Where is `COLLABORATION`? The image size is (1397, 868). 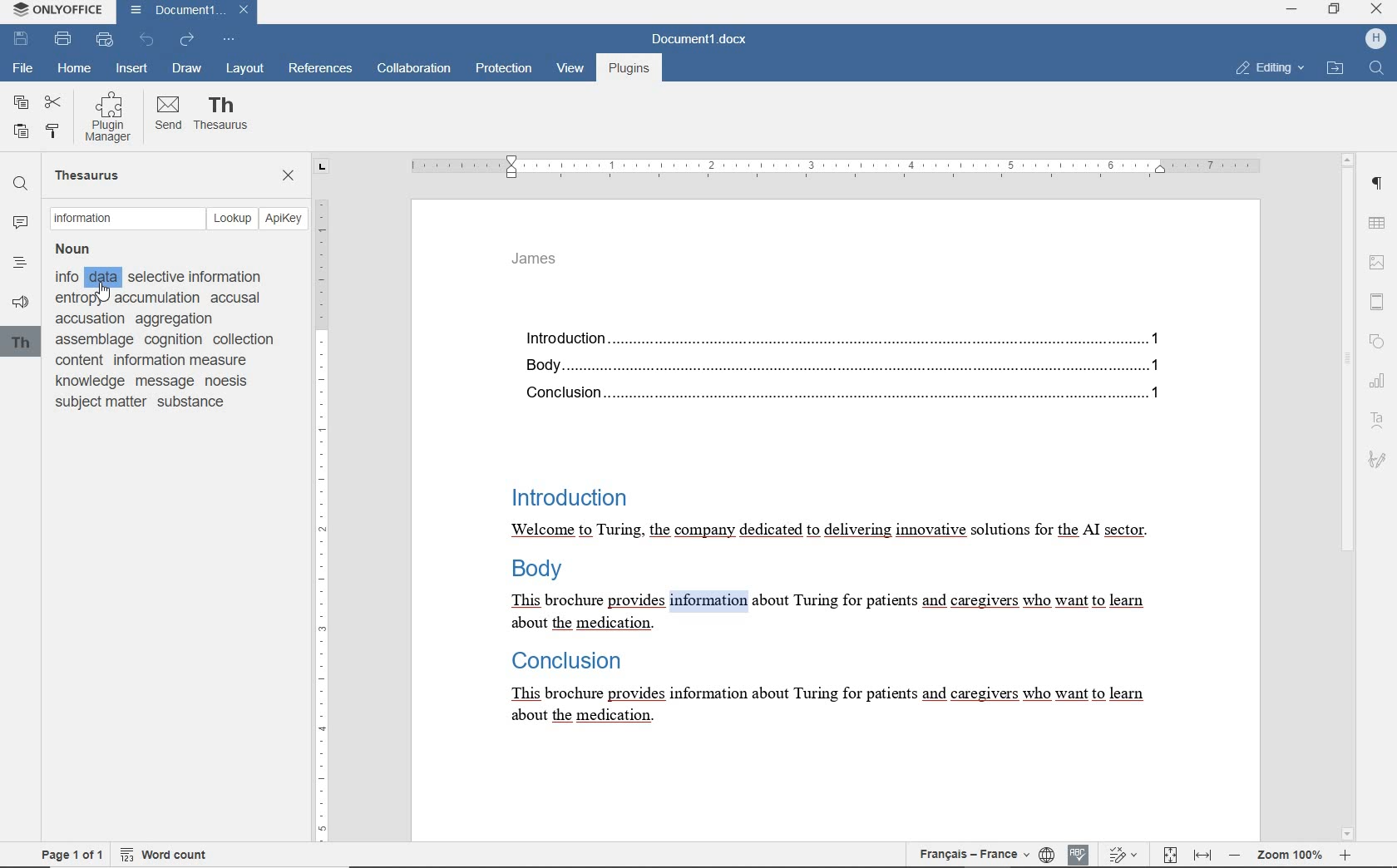 COLLABORATION is located at coordinates (413, 70).